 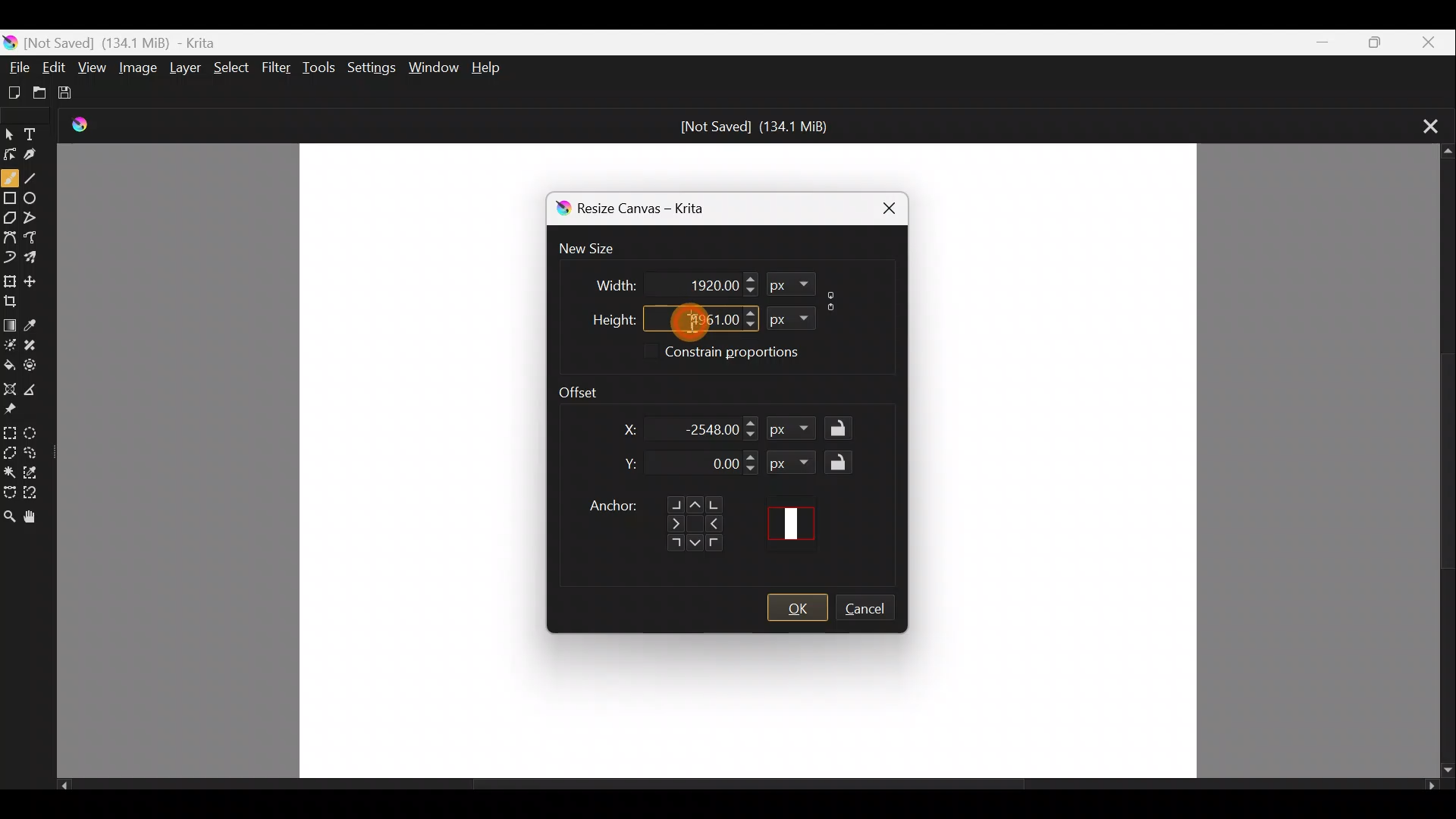 I want to click on Freehand selection tool, so click(x=36, y=450).